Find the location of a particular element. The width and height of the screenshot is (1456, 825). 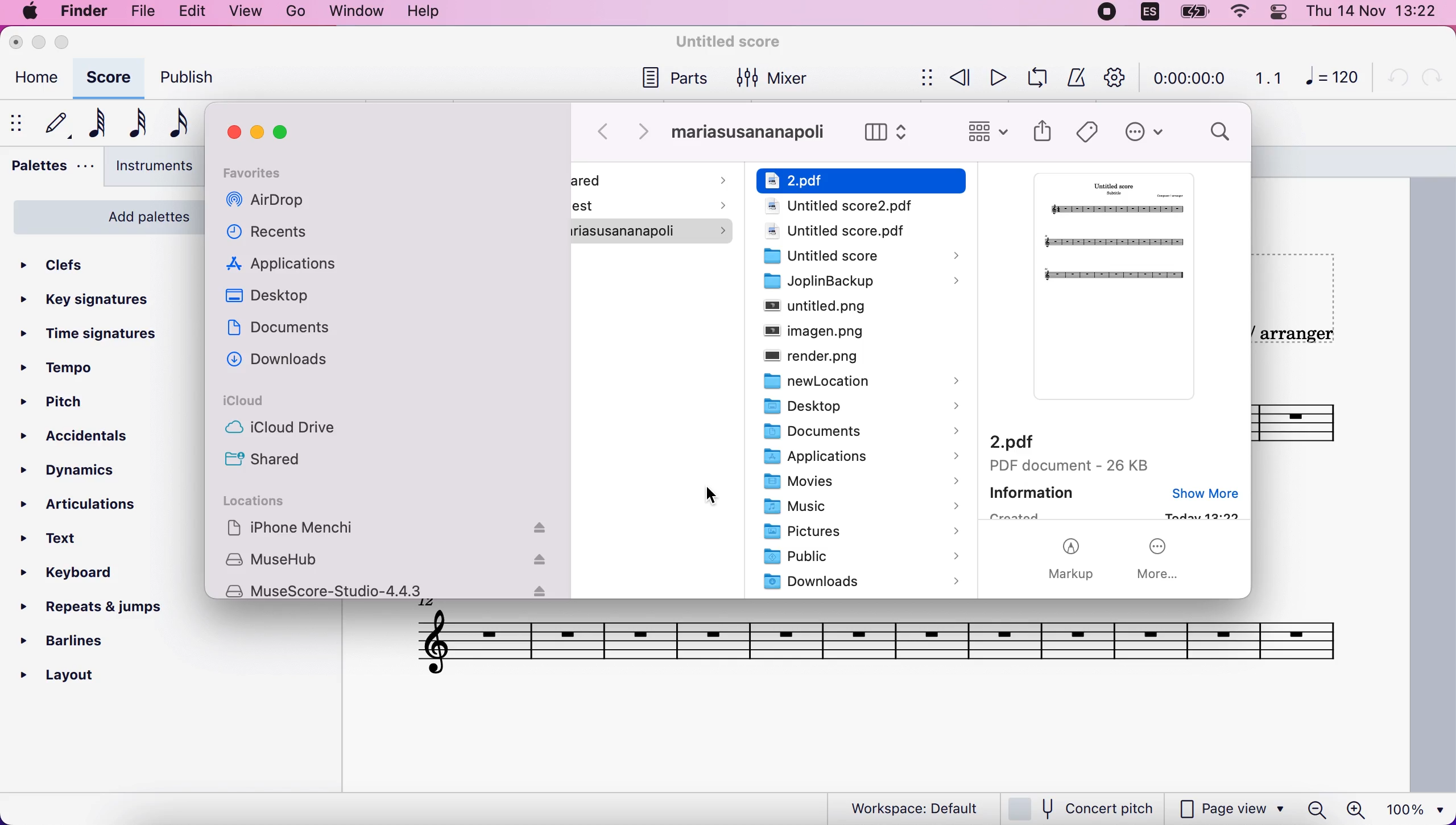

minimize is located at coordinates (40, 43).